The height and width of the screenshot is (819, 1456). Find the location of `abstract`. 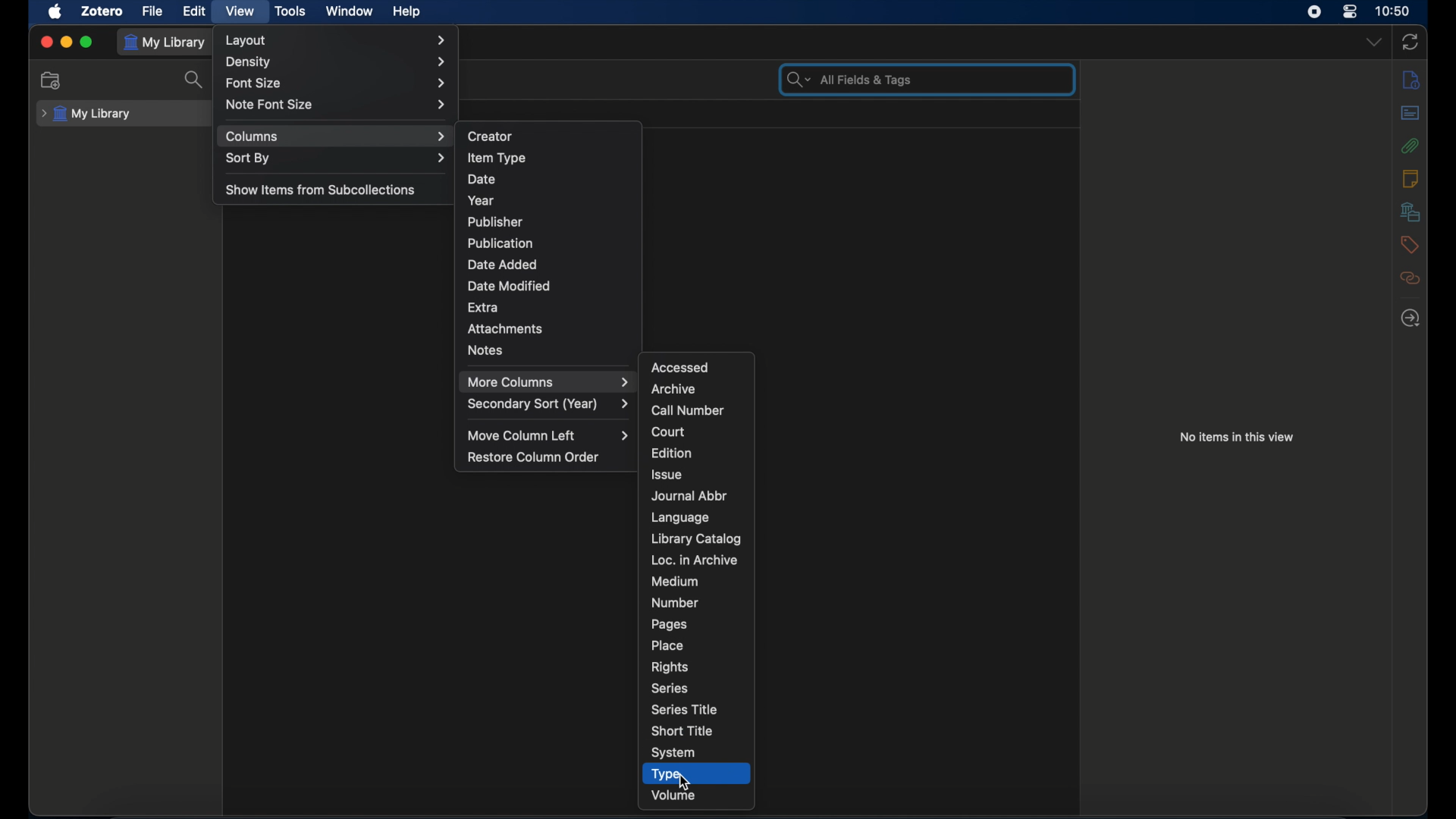

abstract is located at coordinates (1411, 112).